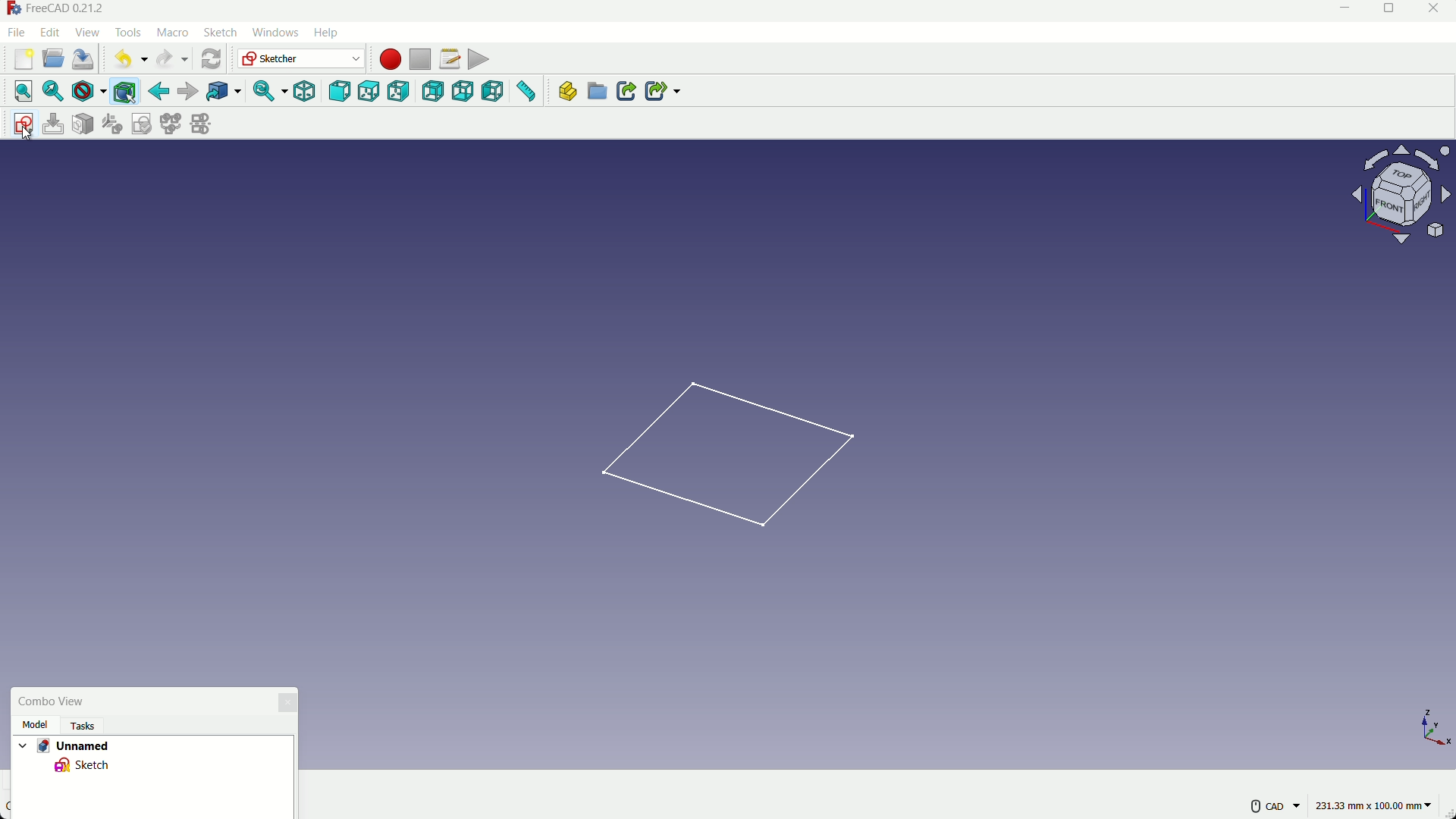 This screenshot has height=819, width=1456. I want to click on new file, so click(24, 59).